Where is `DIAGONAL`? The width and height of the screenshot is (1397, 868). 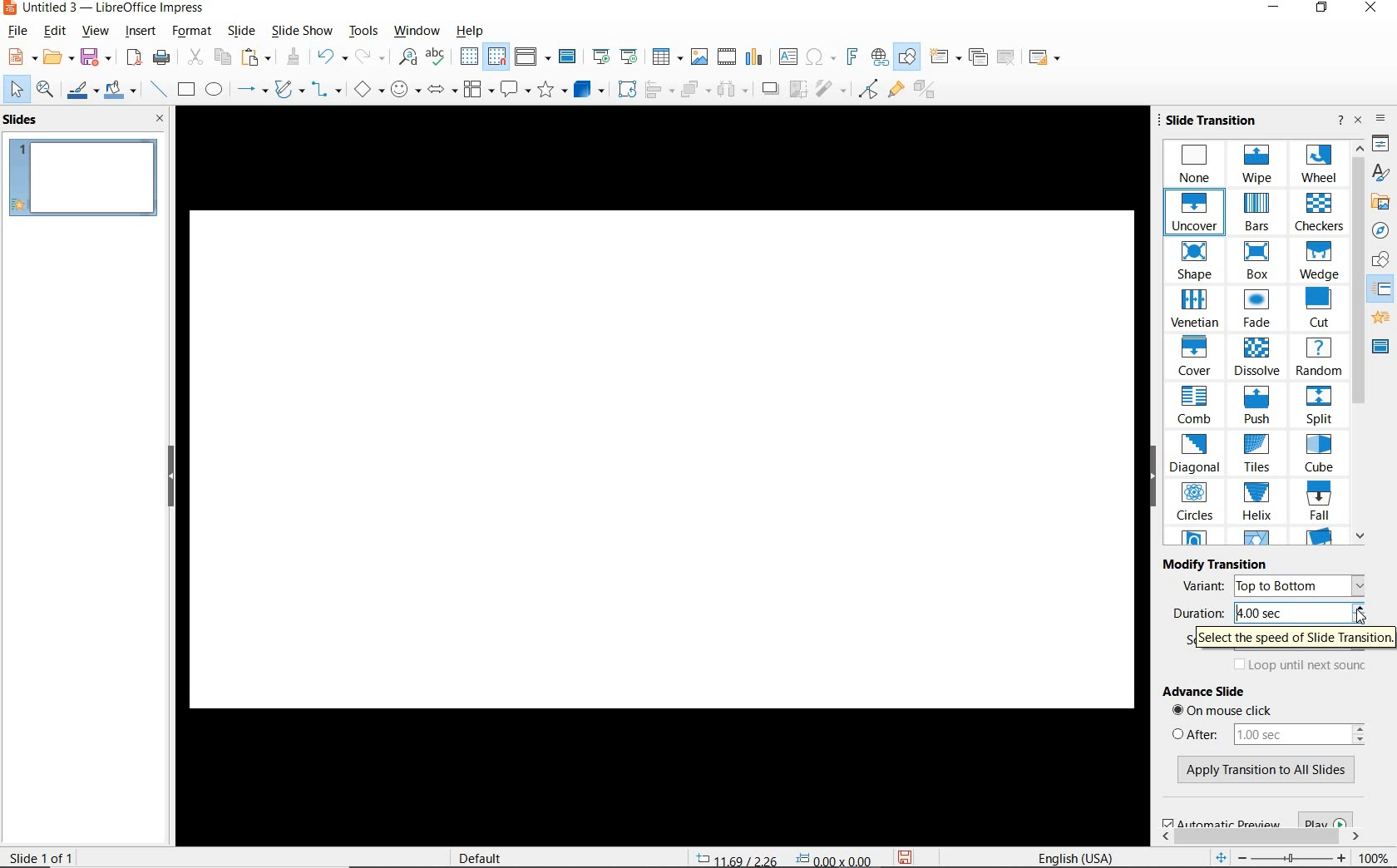
DIAGONAL is located at coordinates (1196, 454).